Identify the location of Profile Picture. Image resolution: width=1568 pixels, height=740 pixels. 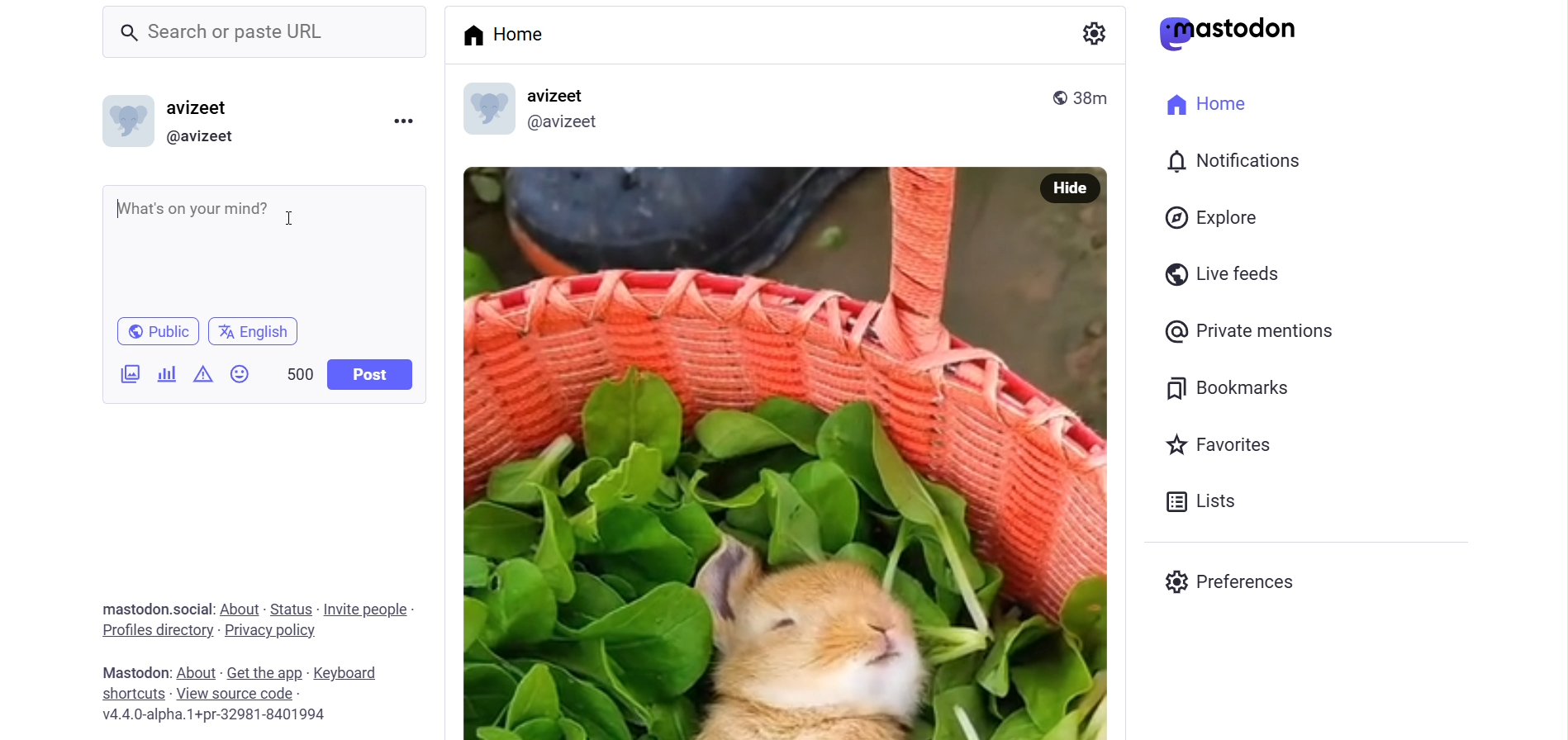
(125, 121).